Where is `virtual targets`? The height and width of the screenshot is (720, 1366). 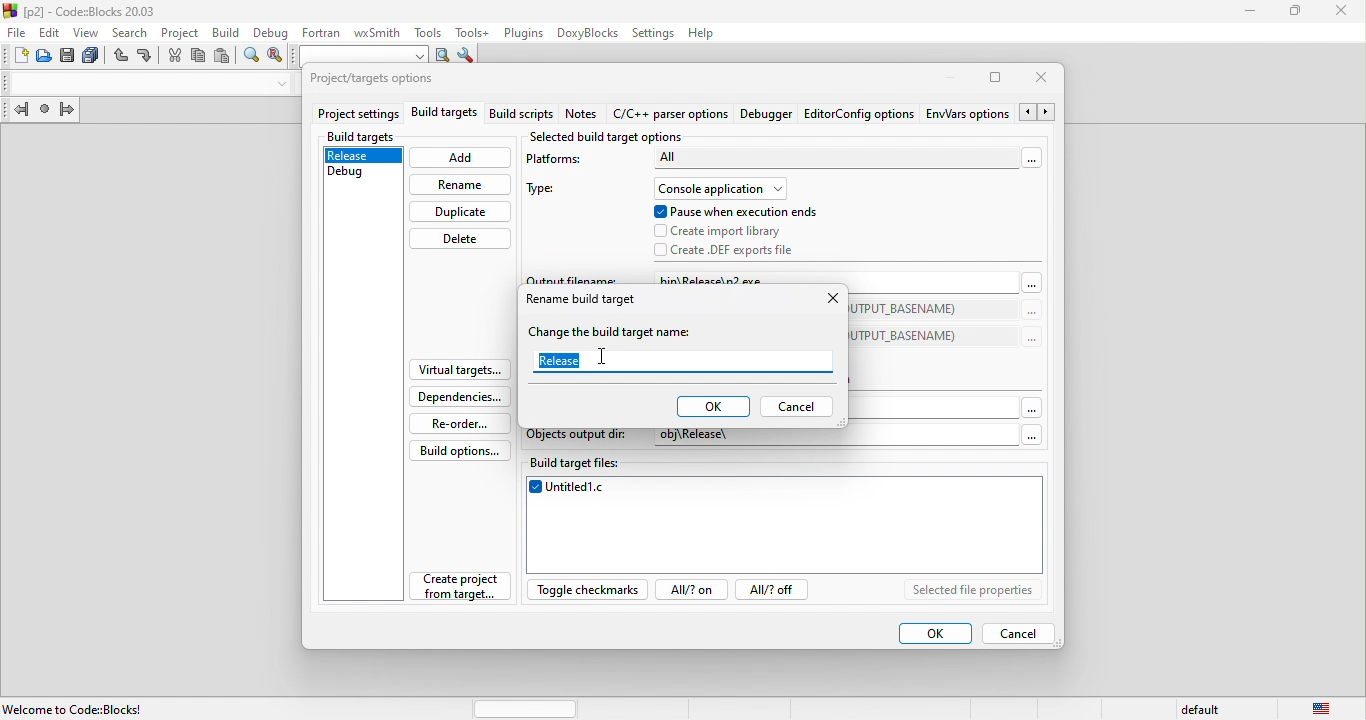 virtual targets is located at coordinates (454, 370).